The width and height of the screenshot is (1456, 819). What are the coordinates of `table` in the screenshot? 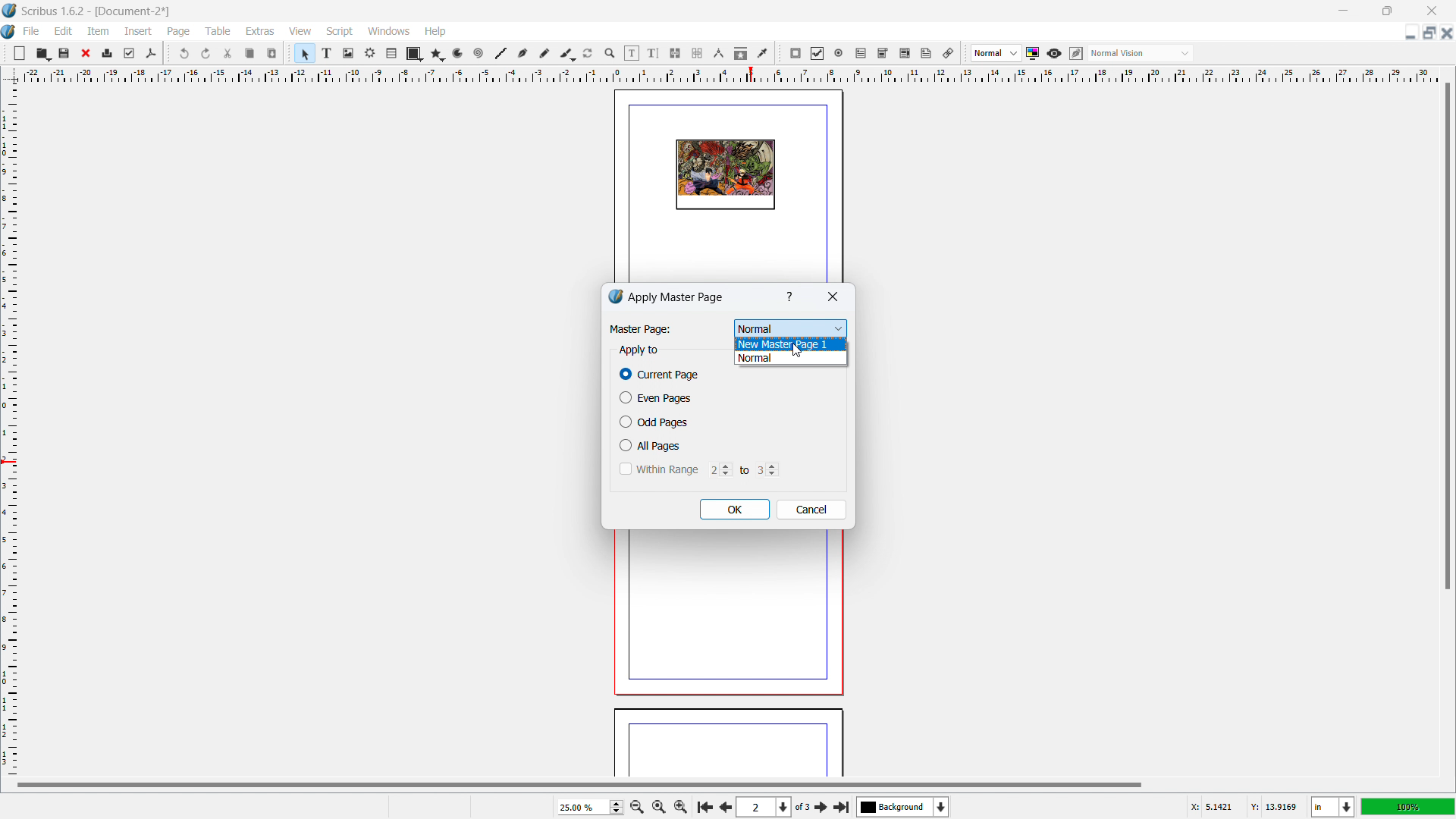 It's located at (392, 54).